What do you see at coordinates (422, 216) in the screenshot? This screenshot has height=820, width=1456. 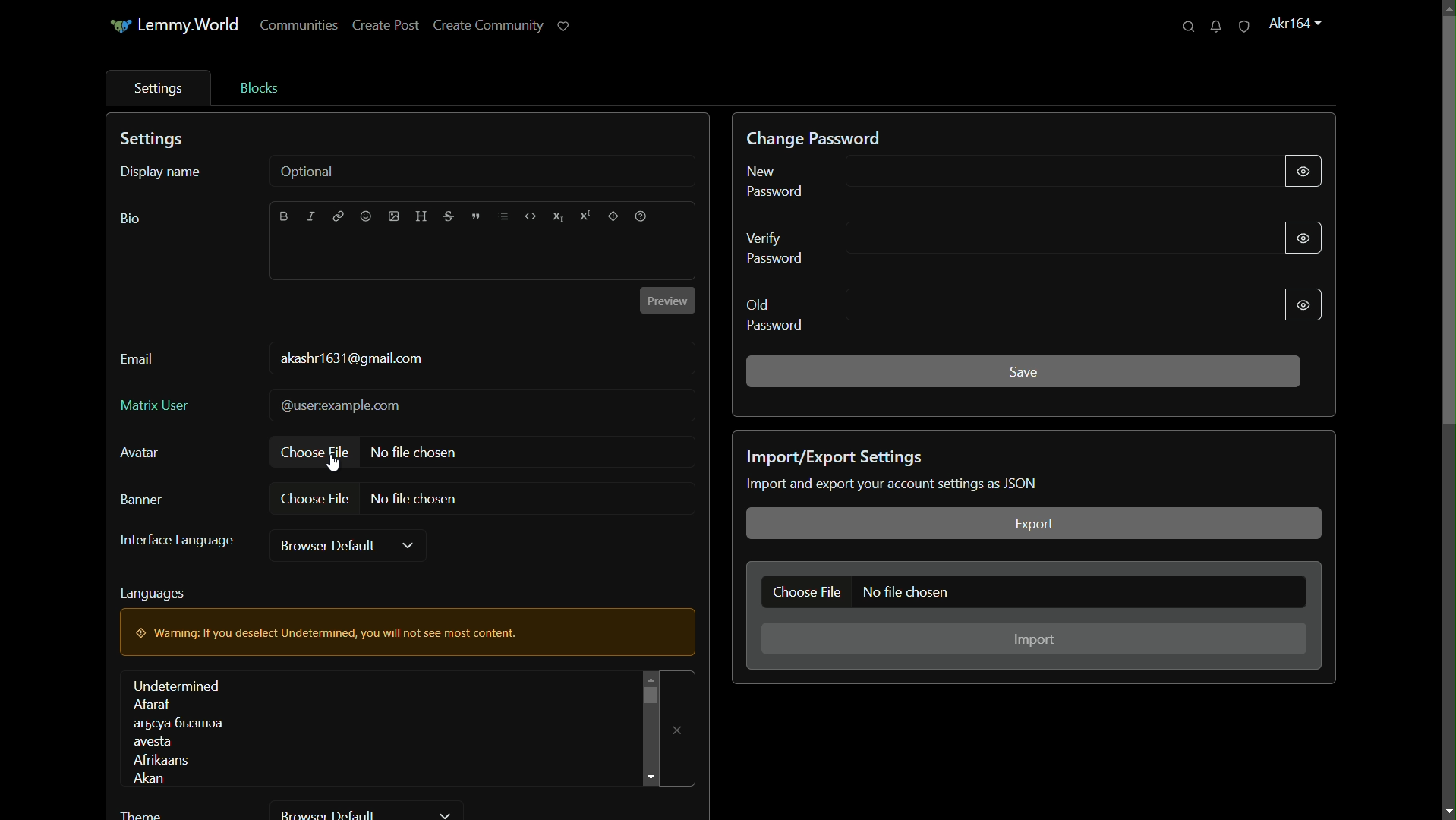 I see `header` at bounding box center [422, 216].